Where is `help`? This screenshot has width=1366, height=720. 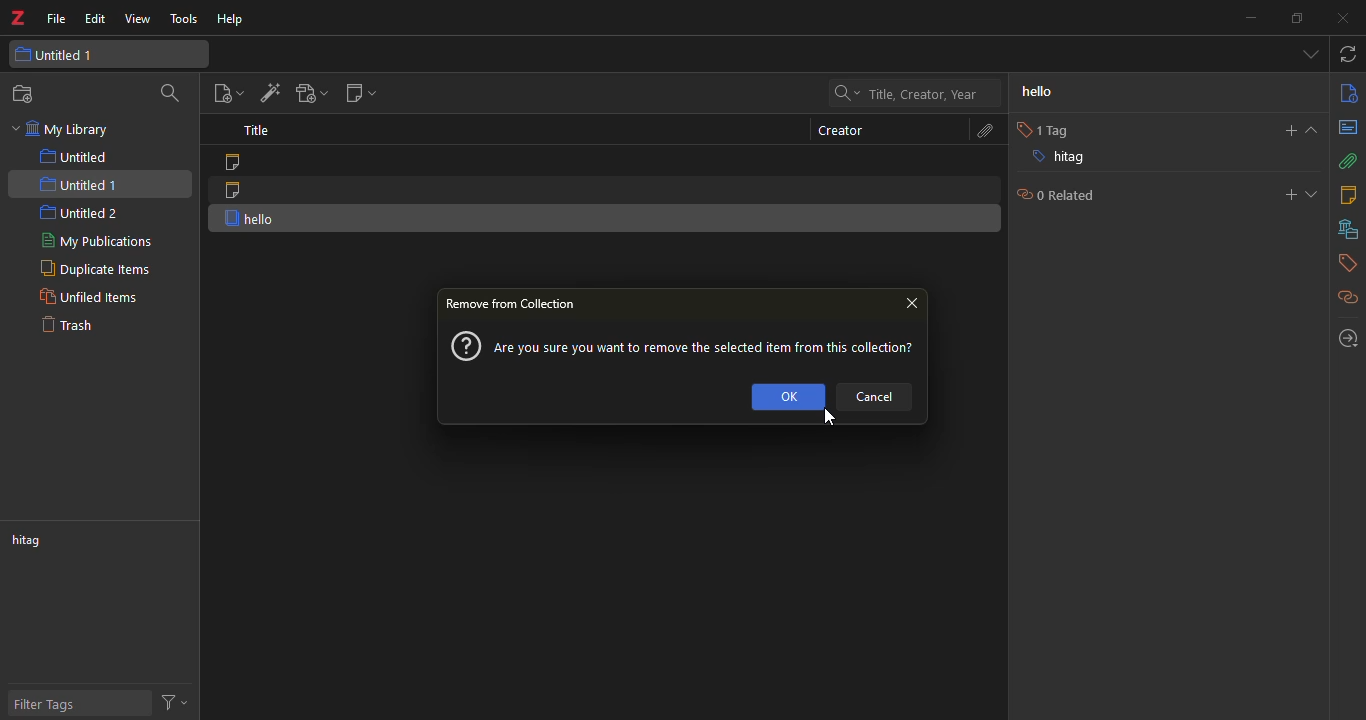
help is located at coordinates (229, 21).